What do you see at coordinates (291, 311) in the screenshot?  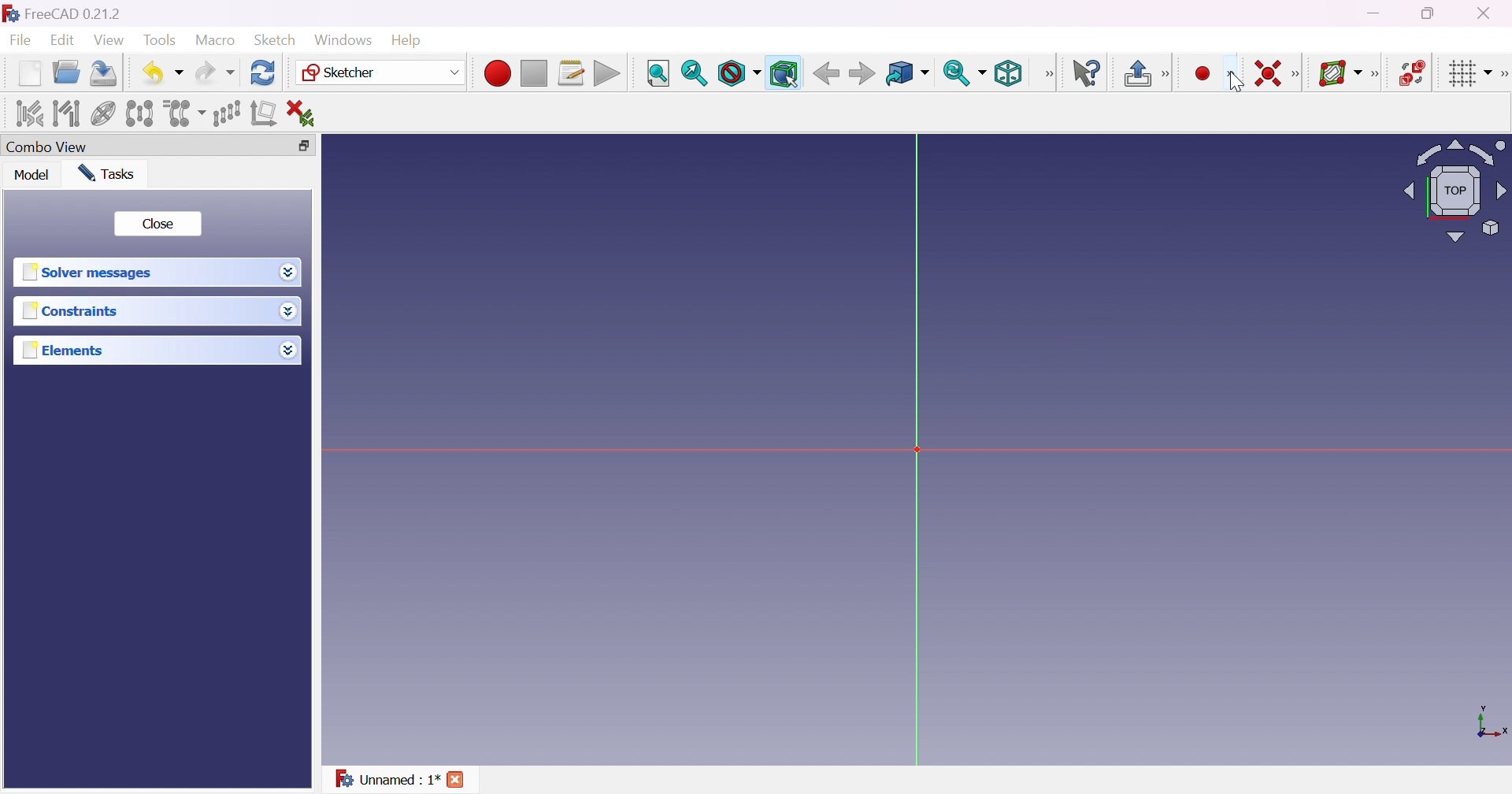 I see `Drop down` at bounding box center [291, 311].